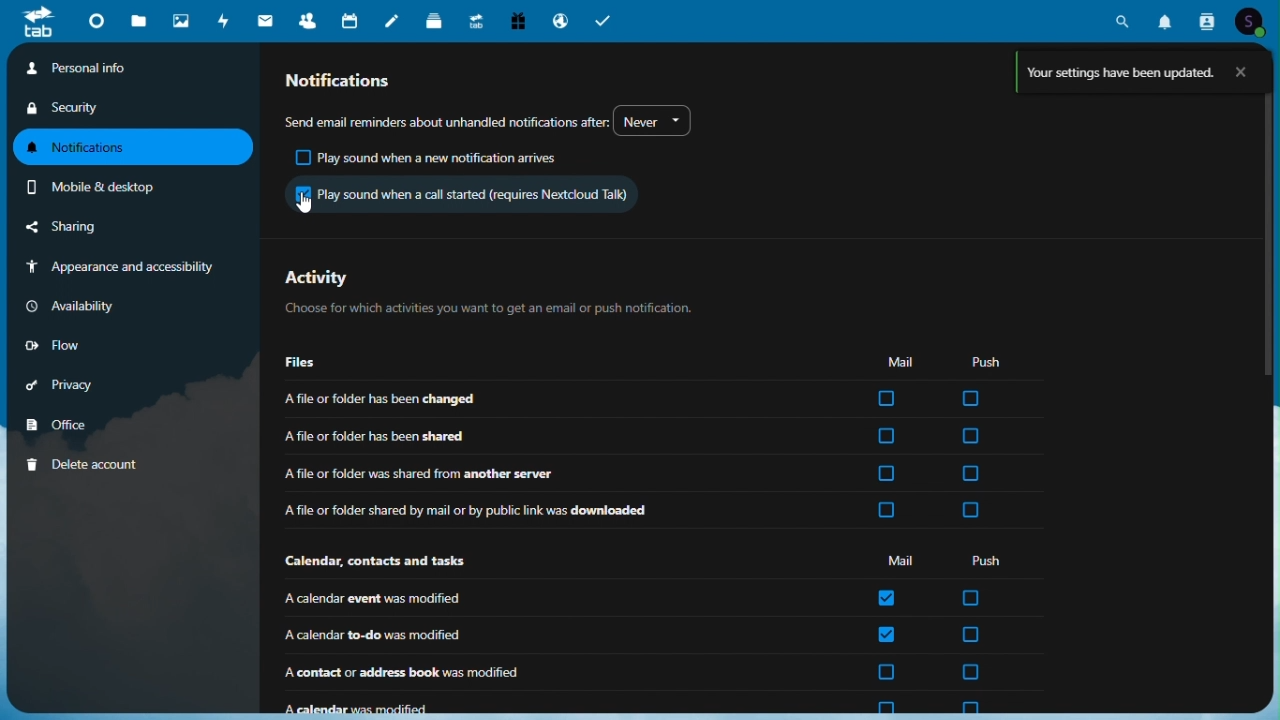 Image resolution: width=1280 pixels, height=720 pixels. Describe the element at coordinates (224, 19) in the screenshot. I see `Activity` at that location.